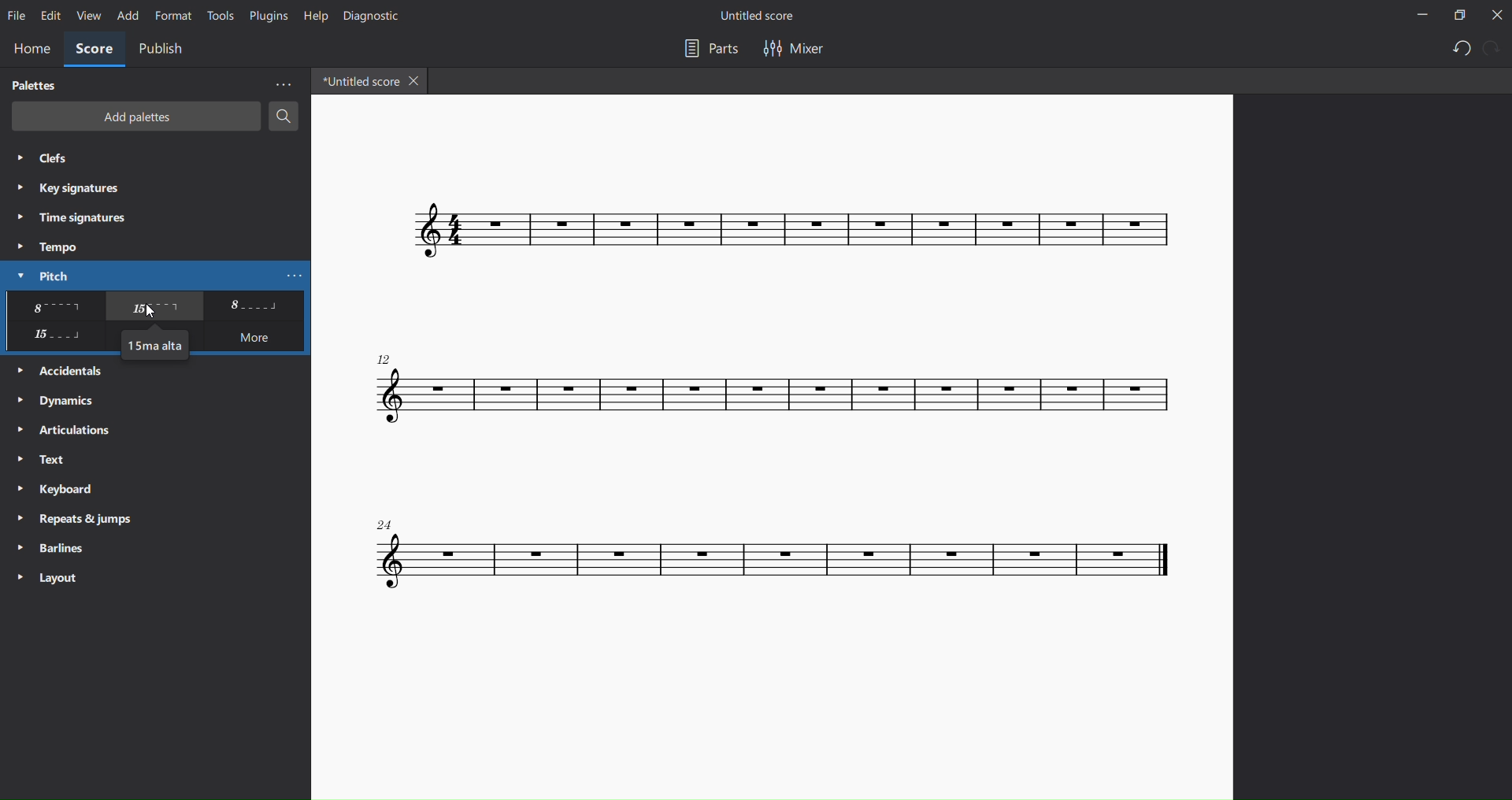  Describe the element at coordinates (1421, 16) in the screenshot. I see `minimize` at that location.